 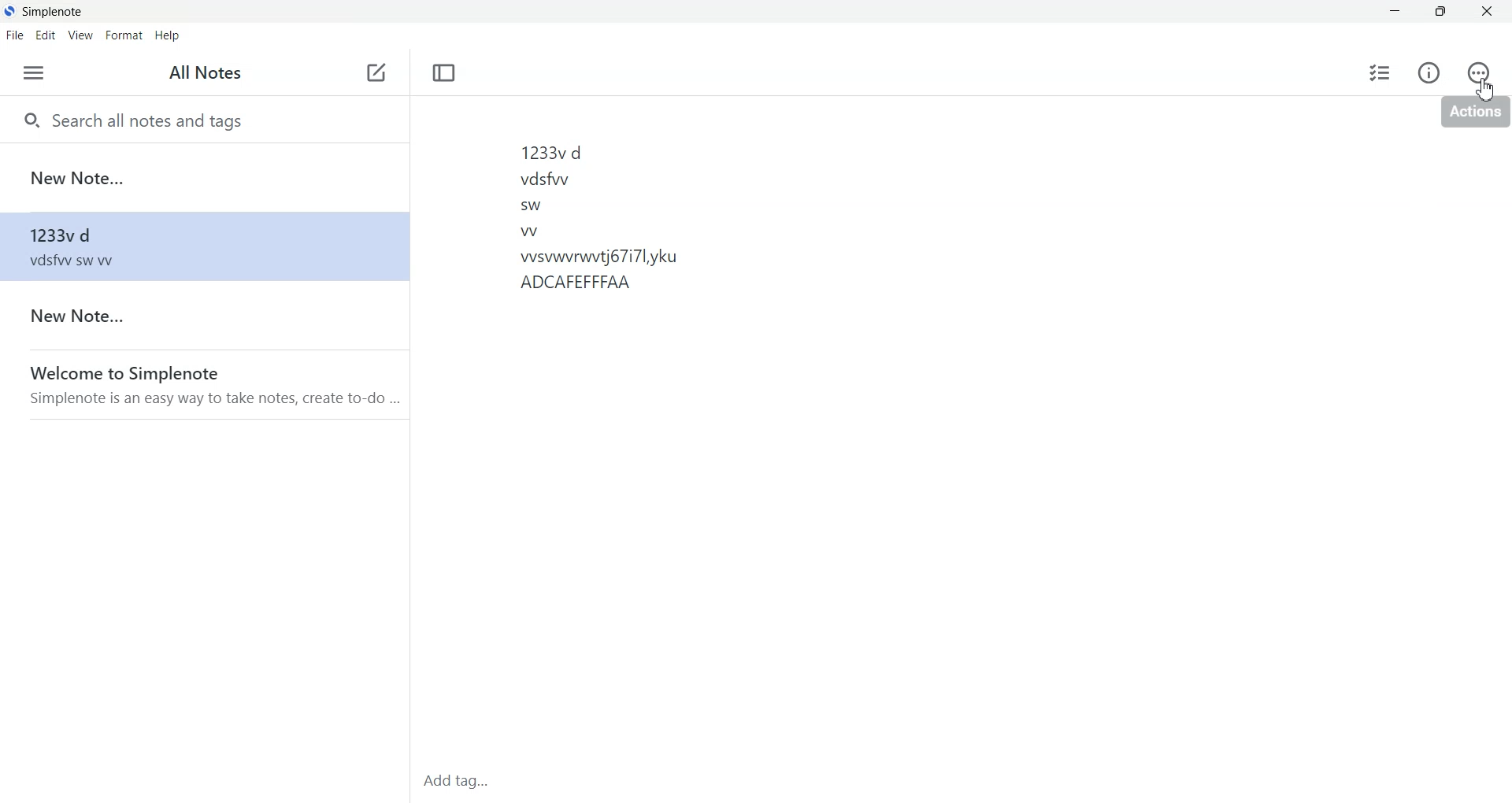 I want to click on 1233vd

vdsfwv

sw

w
wsvwvrwitj67i7l,yku
ADCAFEFFFAA, so click(x=602, y=220).